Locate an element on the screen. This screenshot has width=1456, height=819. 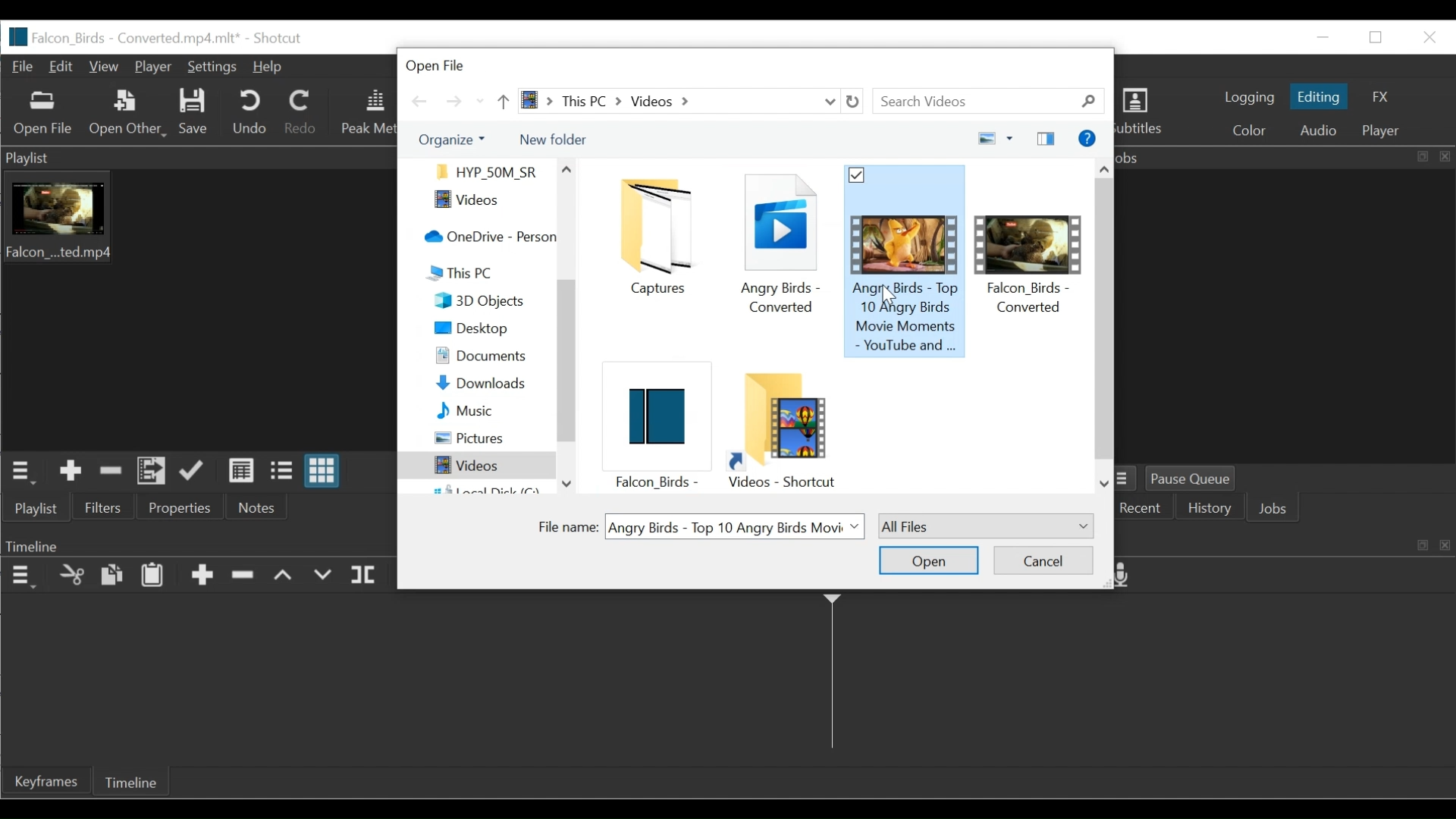
Help is located at coordinates (267, 68).